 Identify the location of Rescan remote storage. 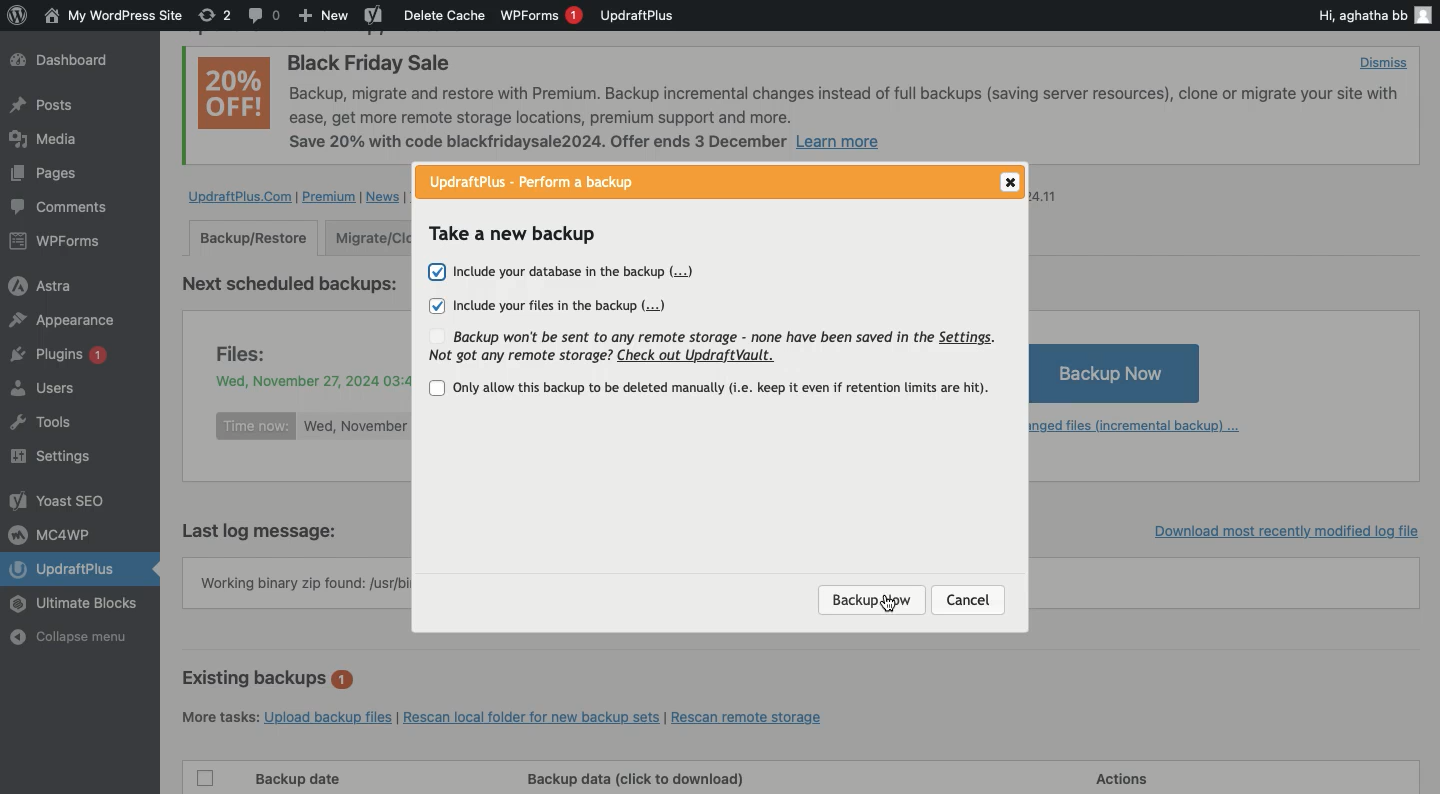
(758, 715).